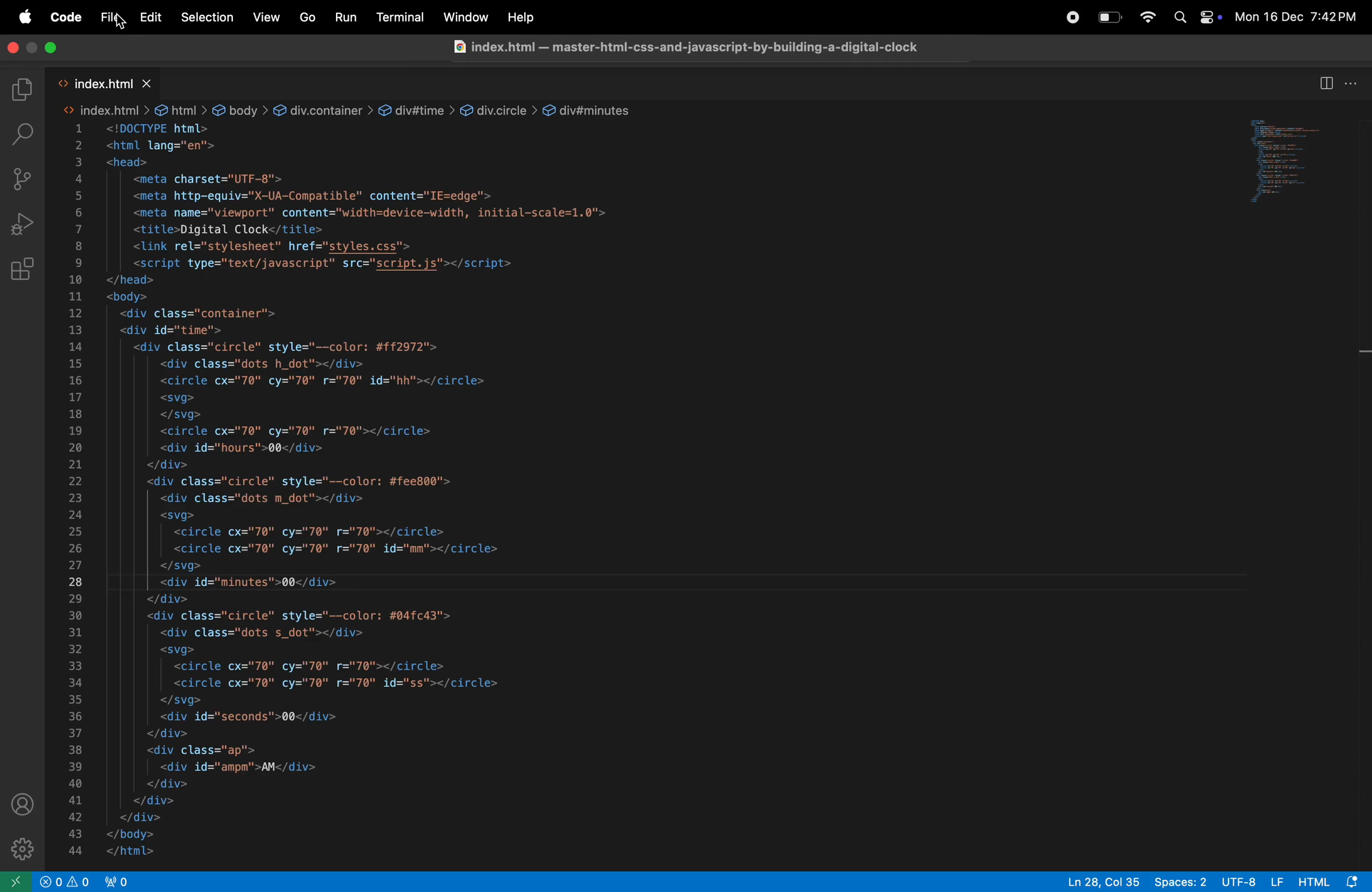 The width and height of the screenshot is (1372, 892). Describe the element at coordinates (109, 17) in the screenshot. I see `file` at that location.